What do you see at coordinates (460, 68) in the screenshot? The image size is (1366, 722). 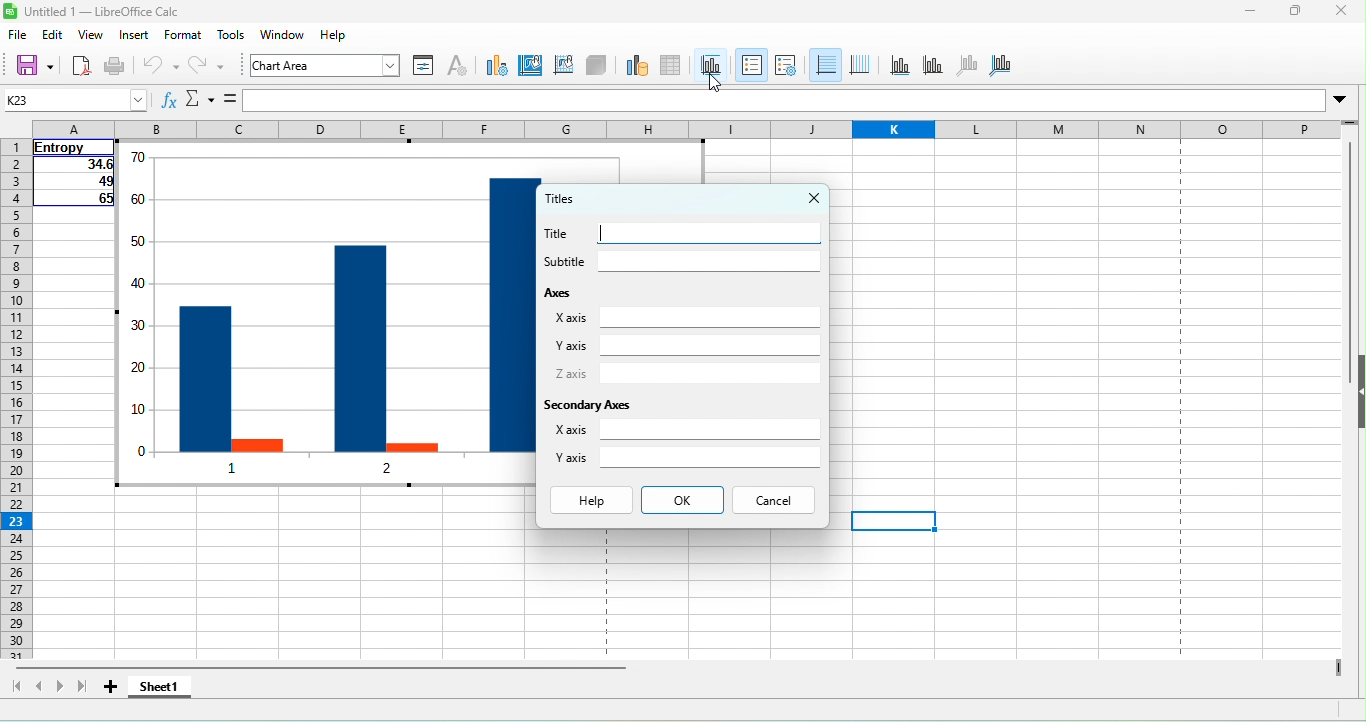 I see `character` at bounding box center [460, 68].